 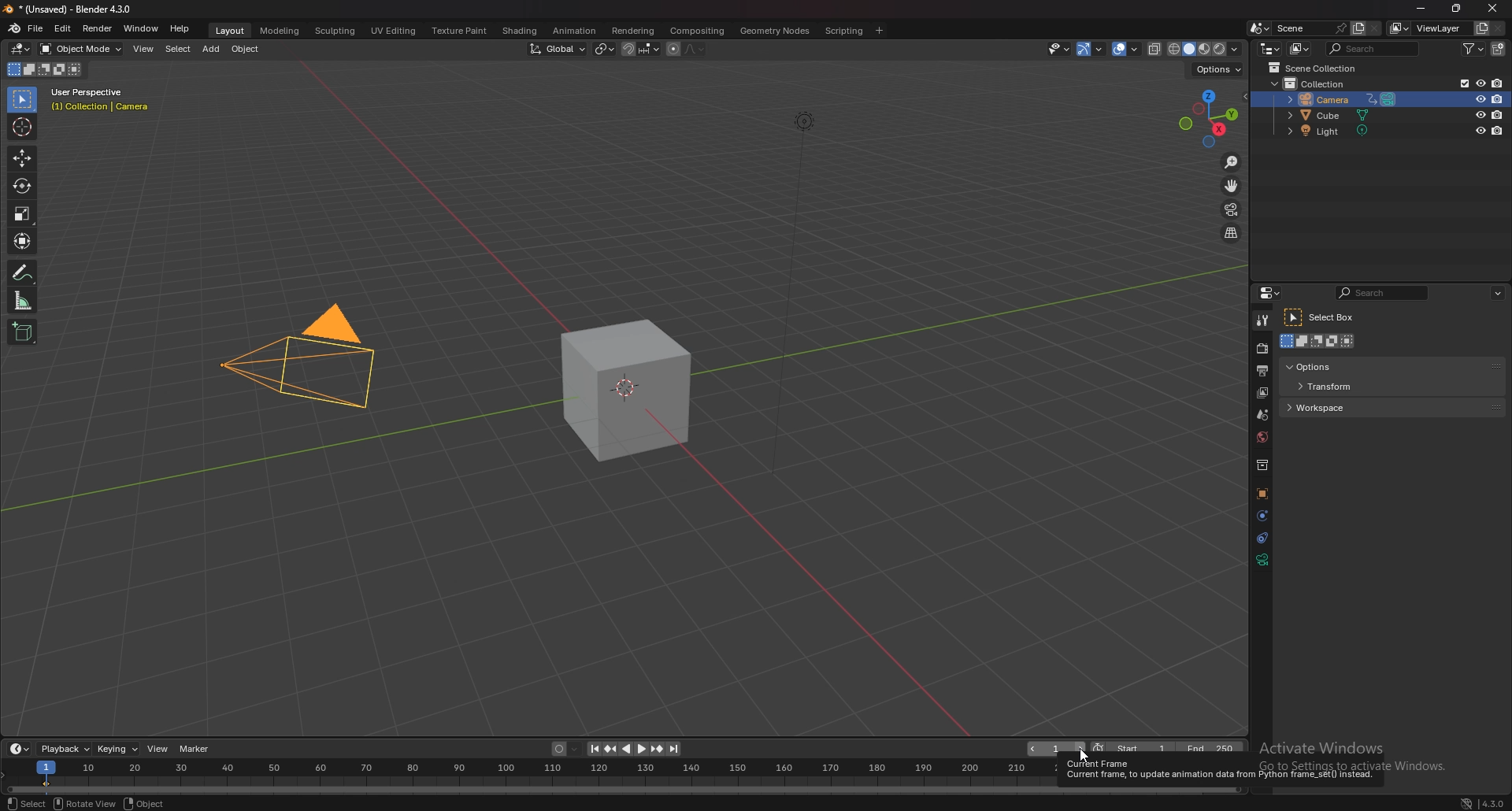 What do you see at coordinates (146, 803) in the screenshot?
I see `object` at bounding box center [146, 803].